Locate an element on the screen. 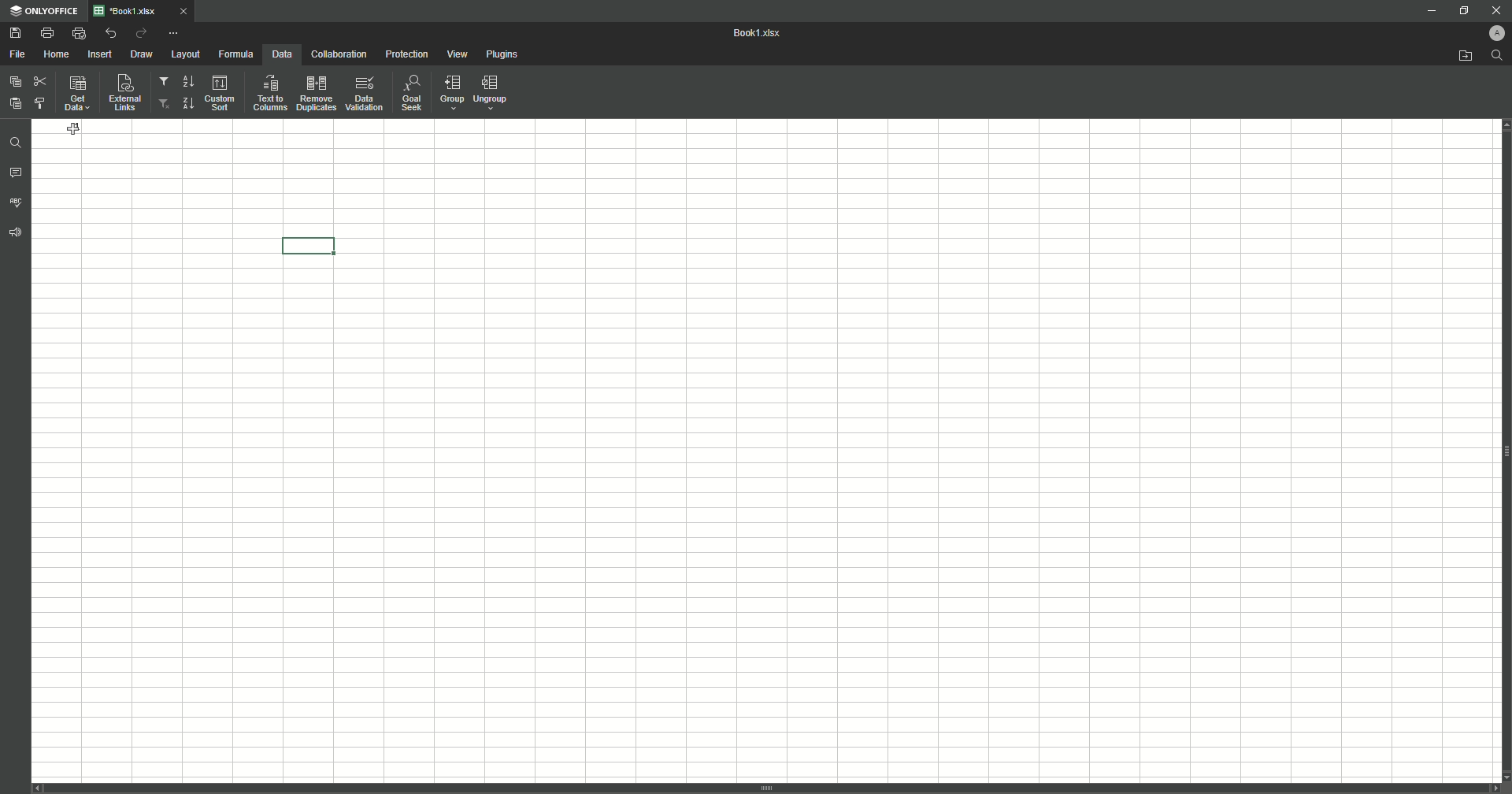  More Options is located at coordinates (176, 32).